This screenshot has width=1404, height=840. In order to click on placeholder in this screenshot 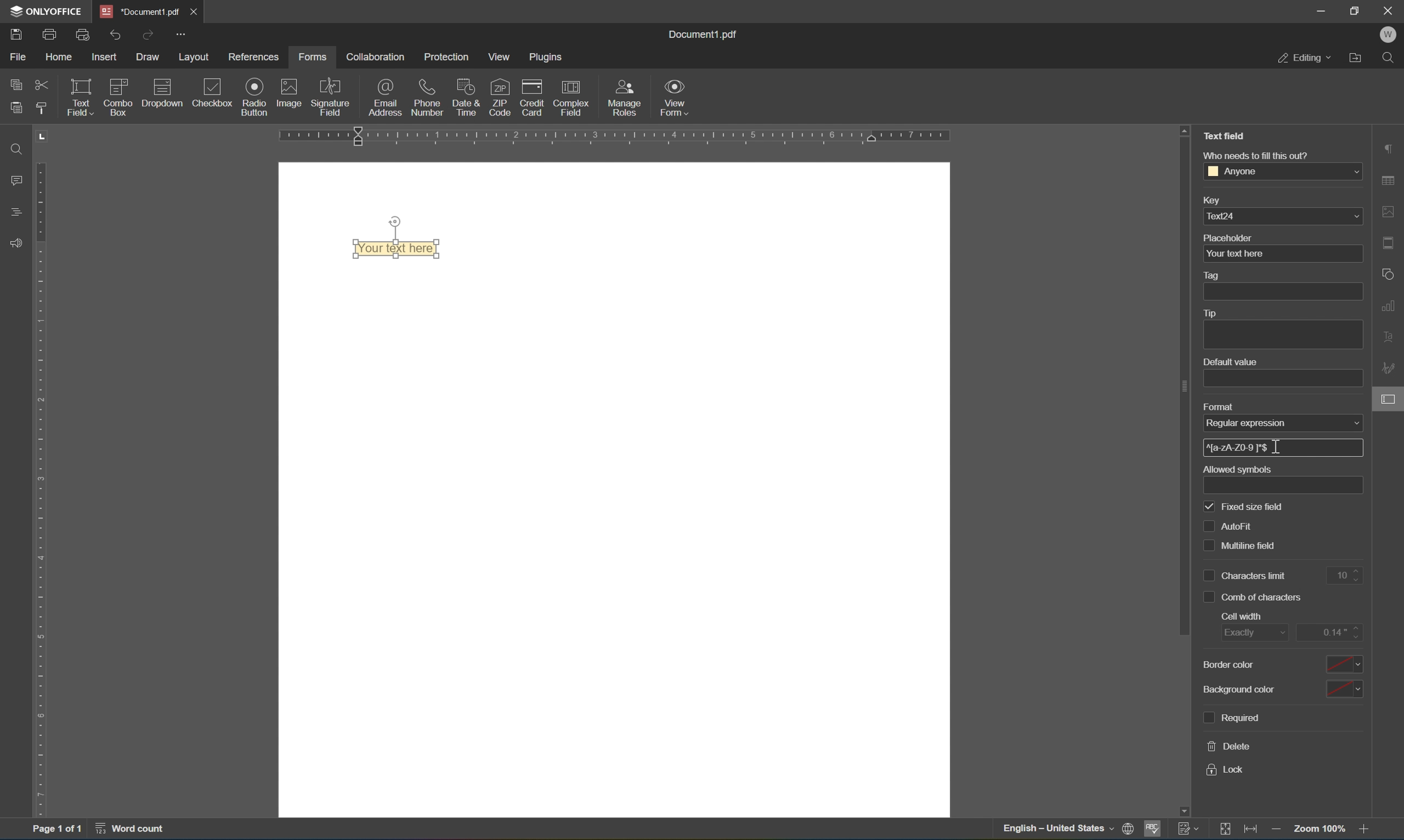, I will do `click(1228, 238)`.